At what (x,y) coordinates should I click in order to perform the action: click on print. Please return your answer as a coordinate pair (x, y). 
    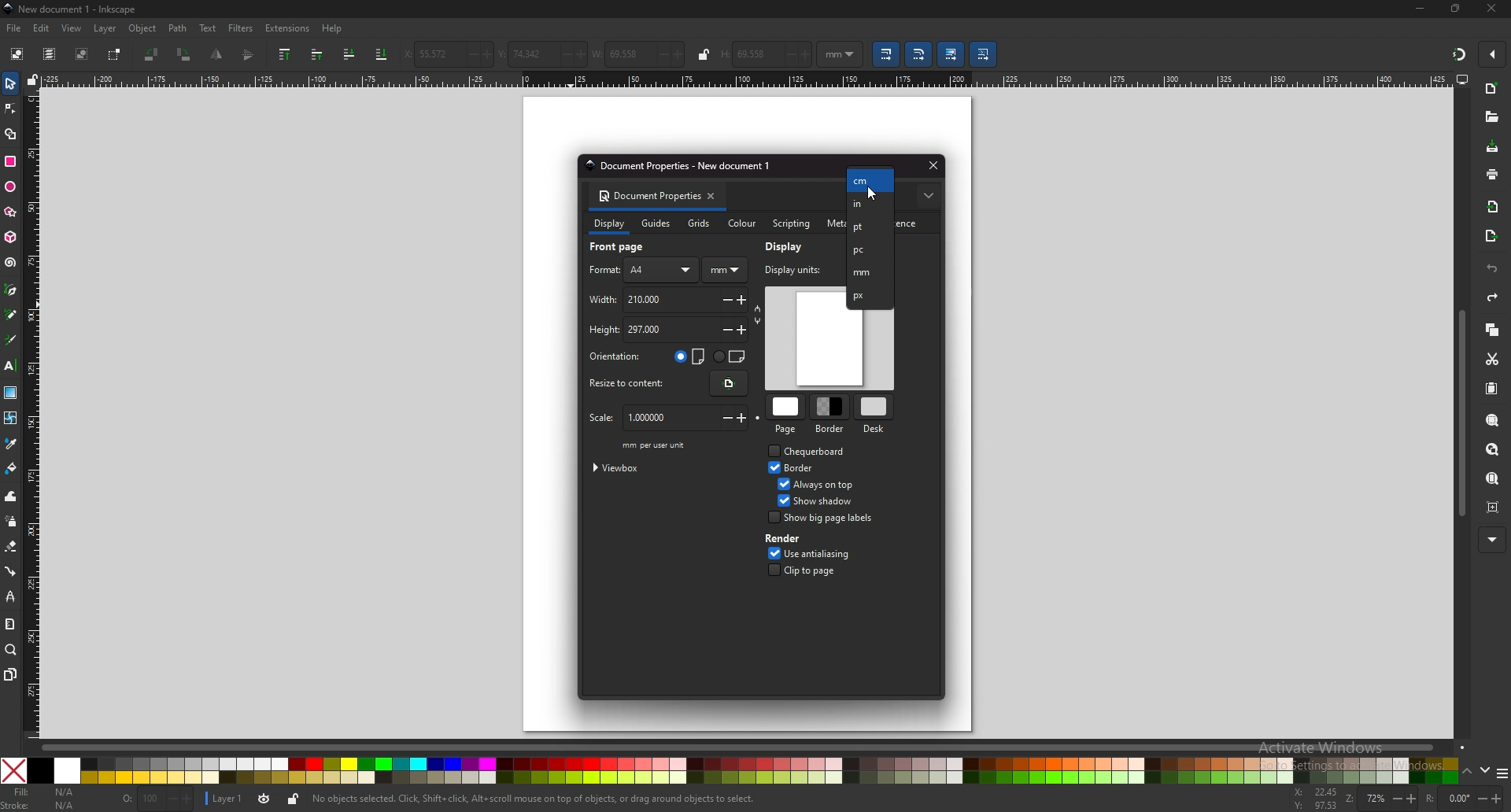
    Looking at the image, I should click on (1492, 174).